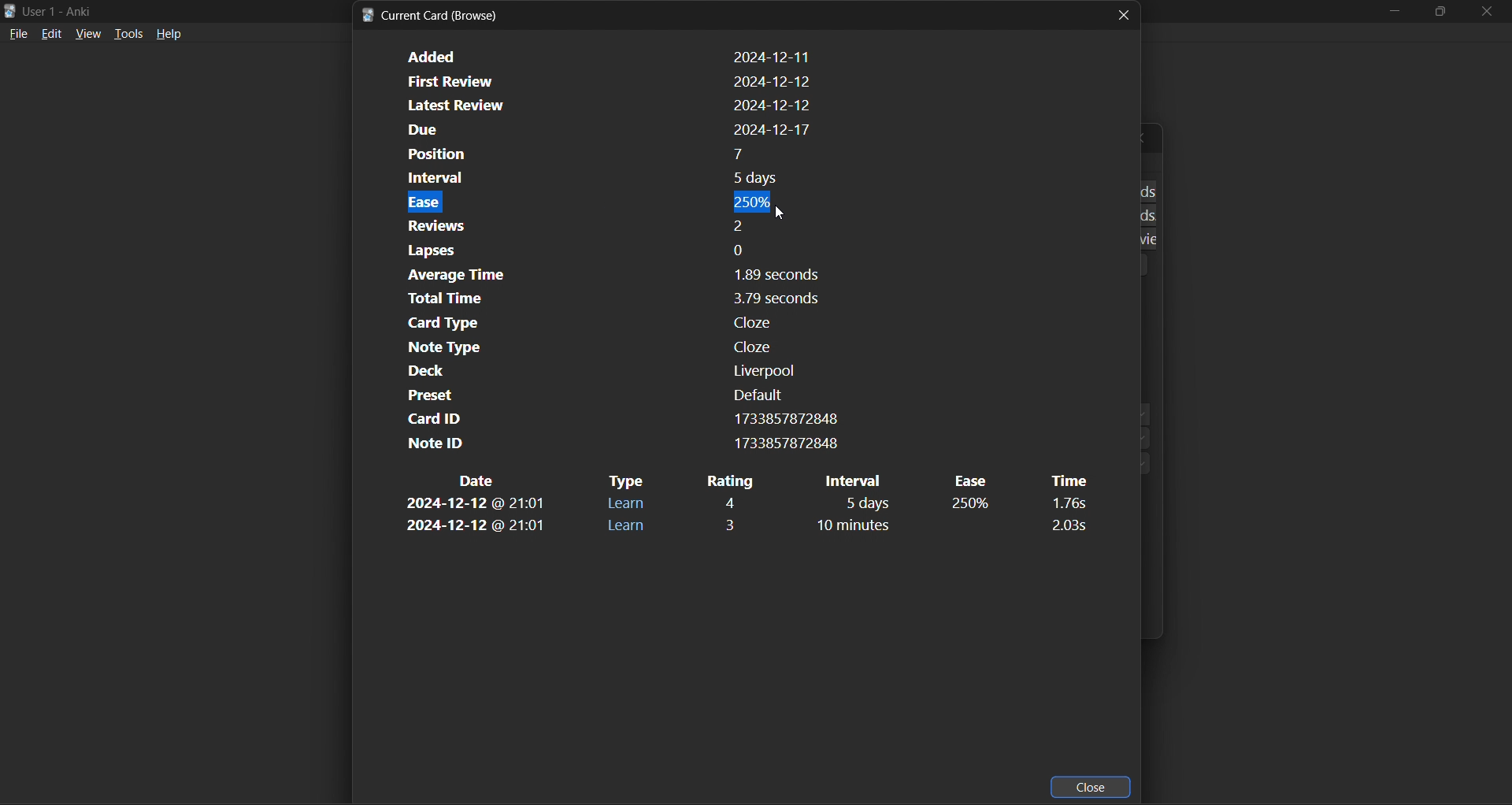 This screenshot has height=805, width=1512. Describe the element at coordinates (1124, 14) in the screenshot. I see `close` at that location.